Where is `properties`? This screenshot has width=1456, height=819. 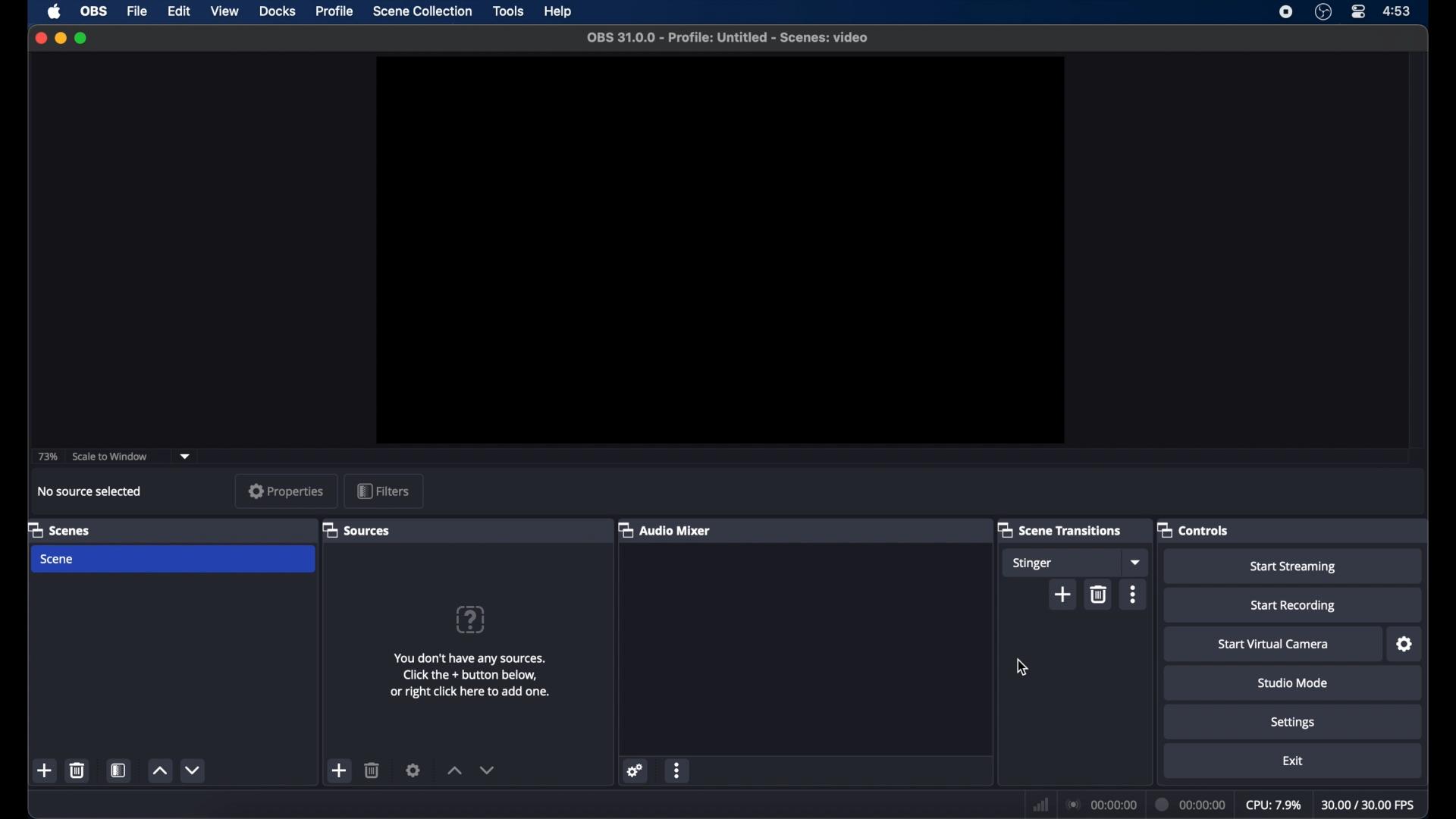 properties is located at coordinates (286, 491).